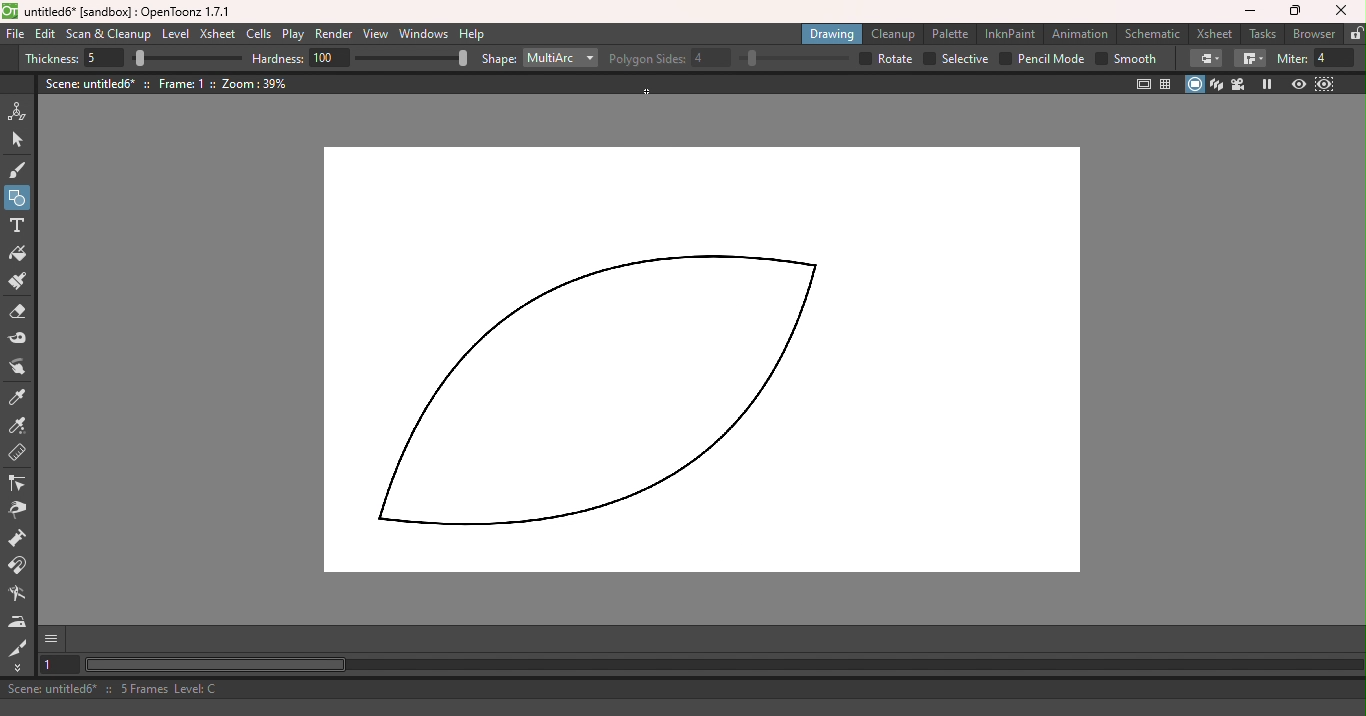  What do you see at coordinates (258, 35) in the screenshot?
I see `Cells` at bounding box center [258, 35].